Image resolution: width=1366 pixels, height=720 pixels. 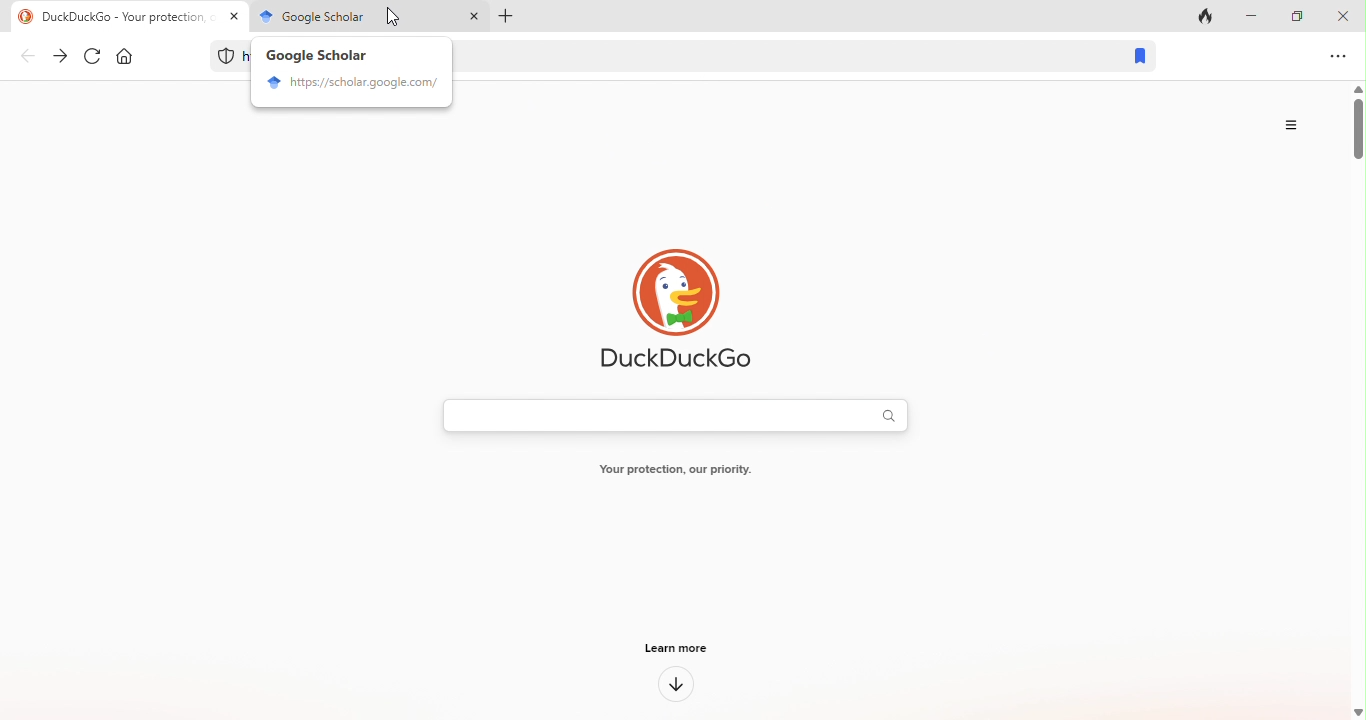 What do you see at coordinates (134, 58) in the screenshot?
I see `home` at bounding box center [134, 58].